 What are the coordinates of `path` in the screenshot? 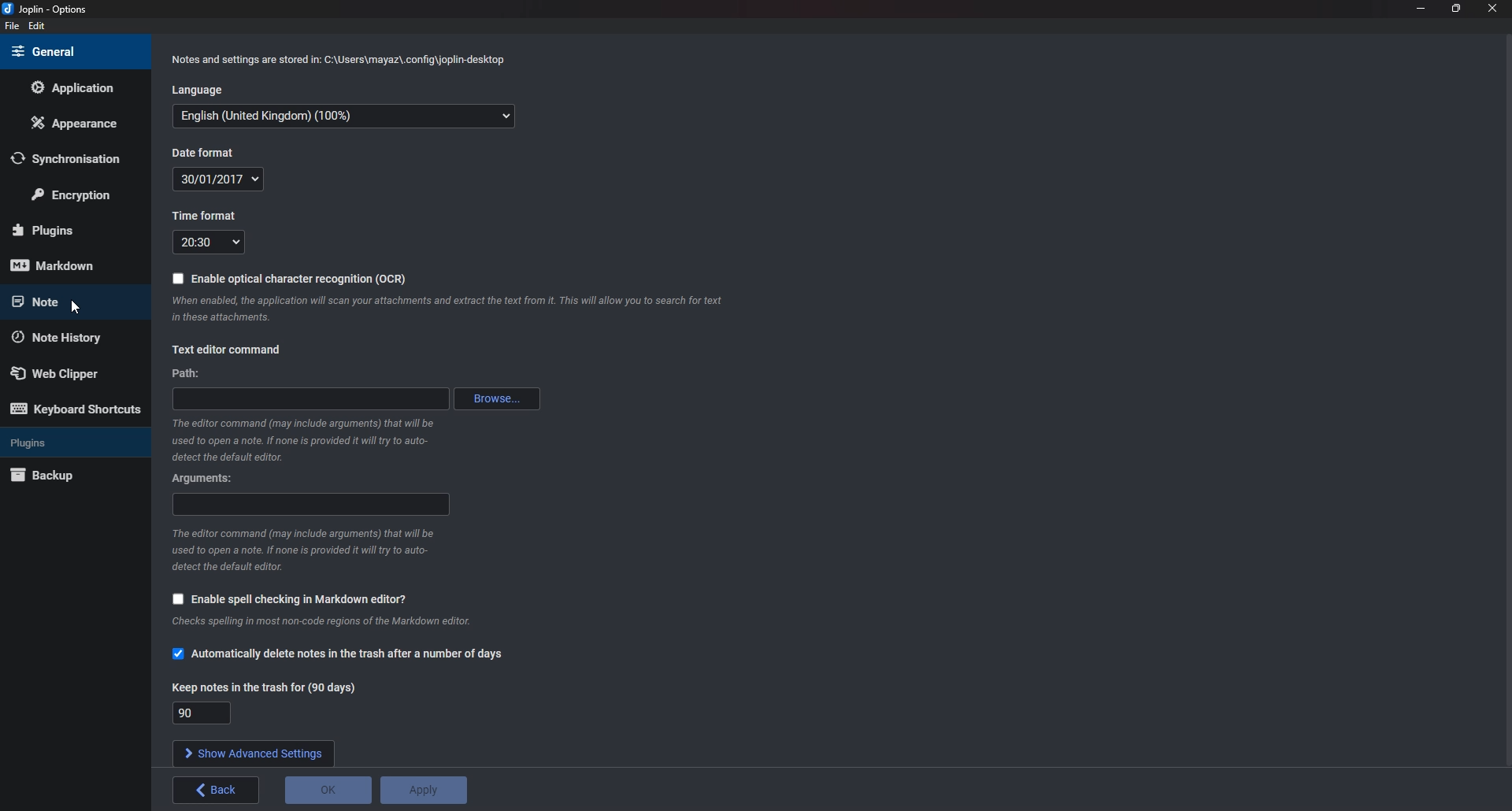 It's located at (192, 374).